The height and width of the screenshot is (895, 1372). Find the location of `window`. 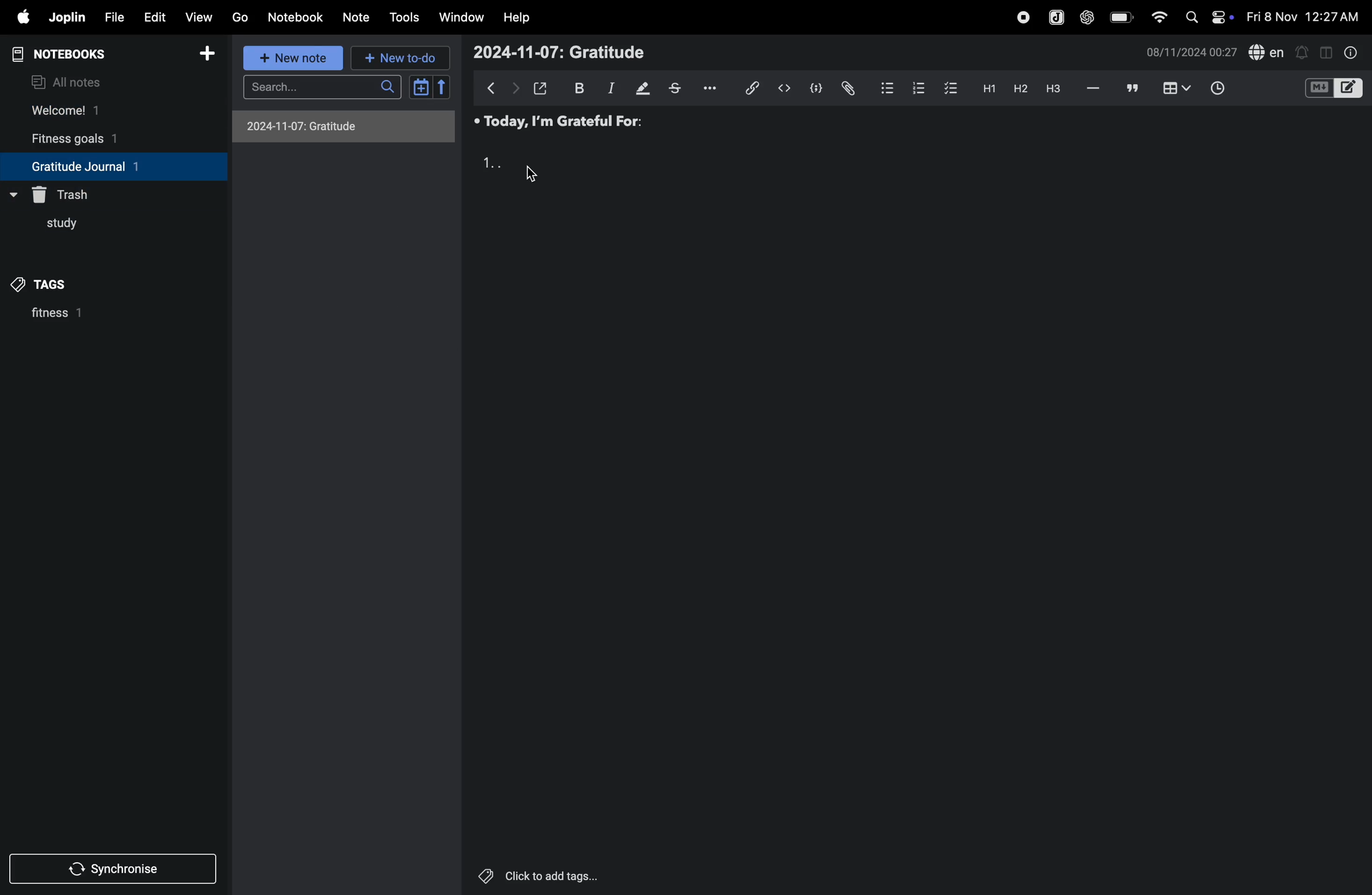

window is located at coordinates (462, 16).